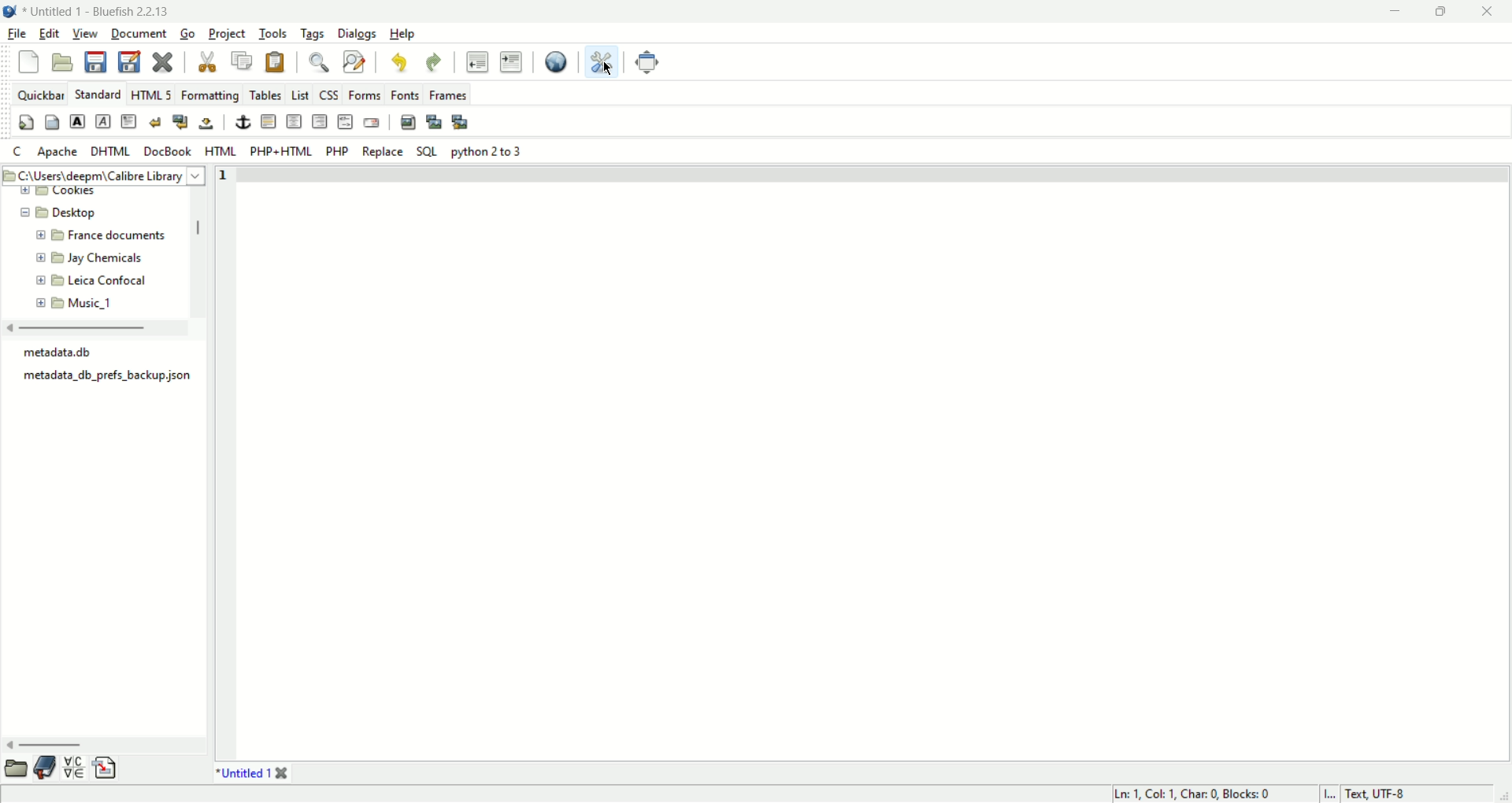 The width and height of the screenshot is (1512, 803). Describe the element at coordinates (28, 122) in the screenshot. I see `quick settings` at that location.